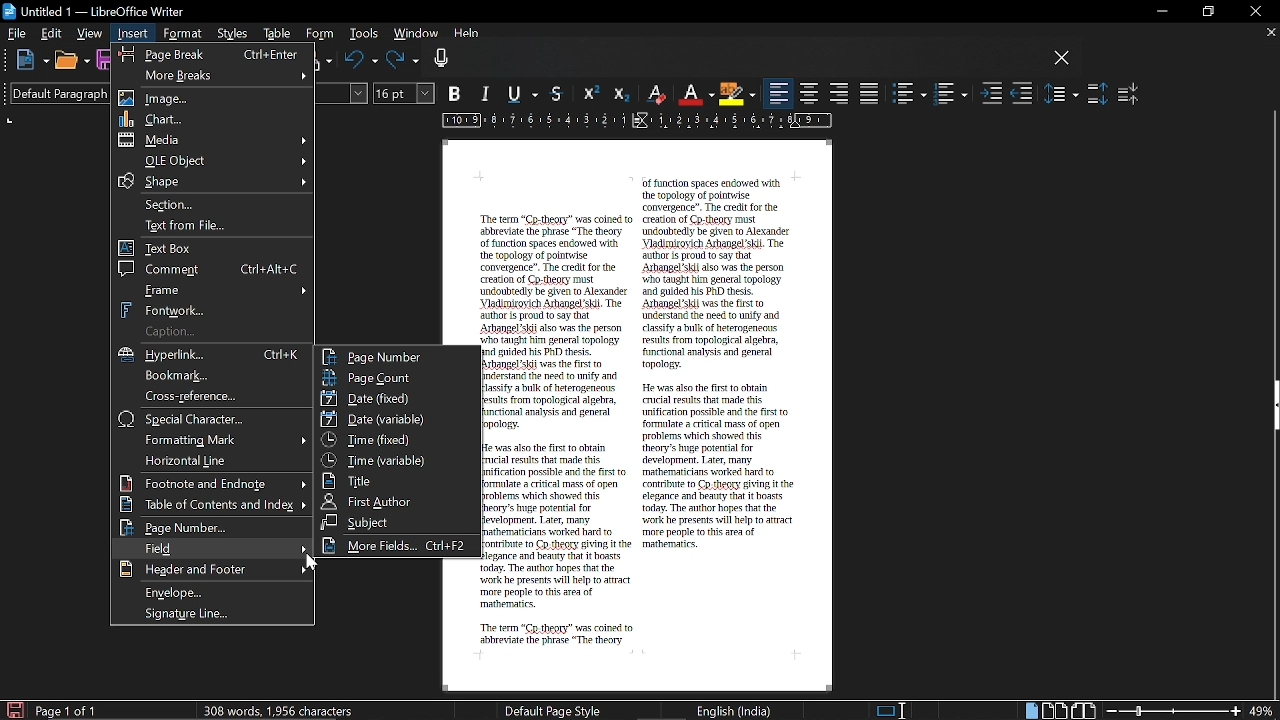  What do you see at coordinates (215, 592) in the screenshot?
I see `Envelope` at bounding box center [215, 592].